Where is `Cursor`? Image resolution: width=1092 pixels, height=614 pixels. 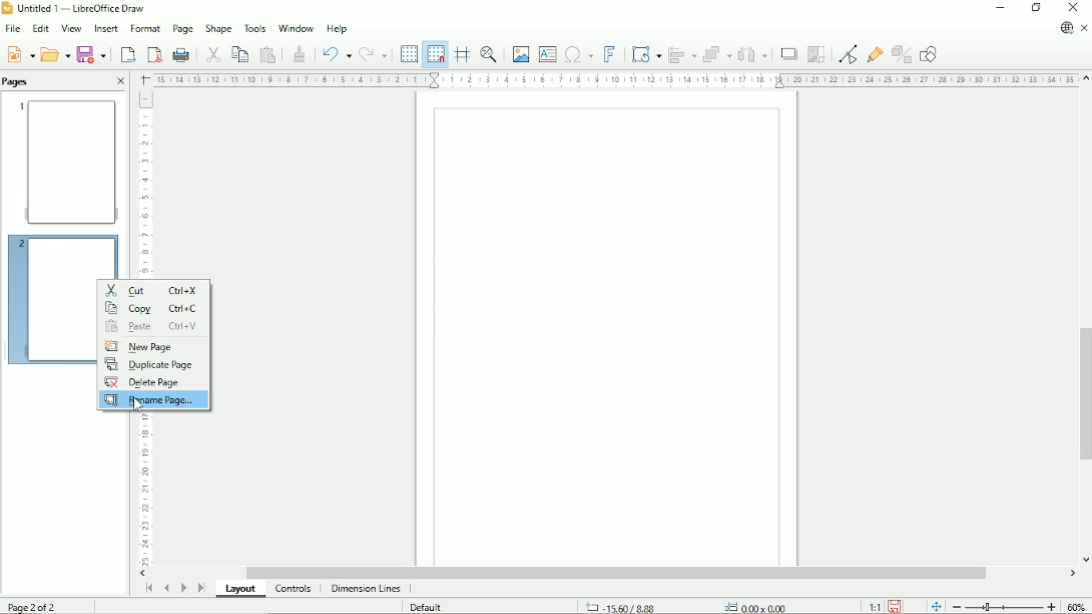
Cursor is located at coordinates (137, 405).